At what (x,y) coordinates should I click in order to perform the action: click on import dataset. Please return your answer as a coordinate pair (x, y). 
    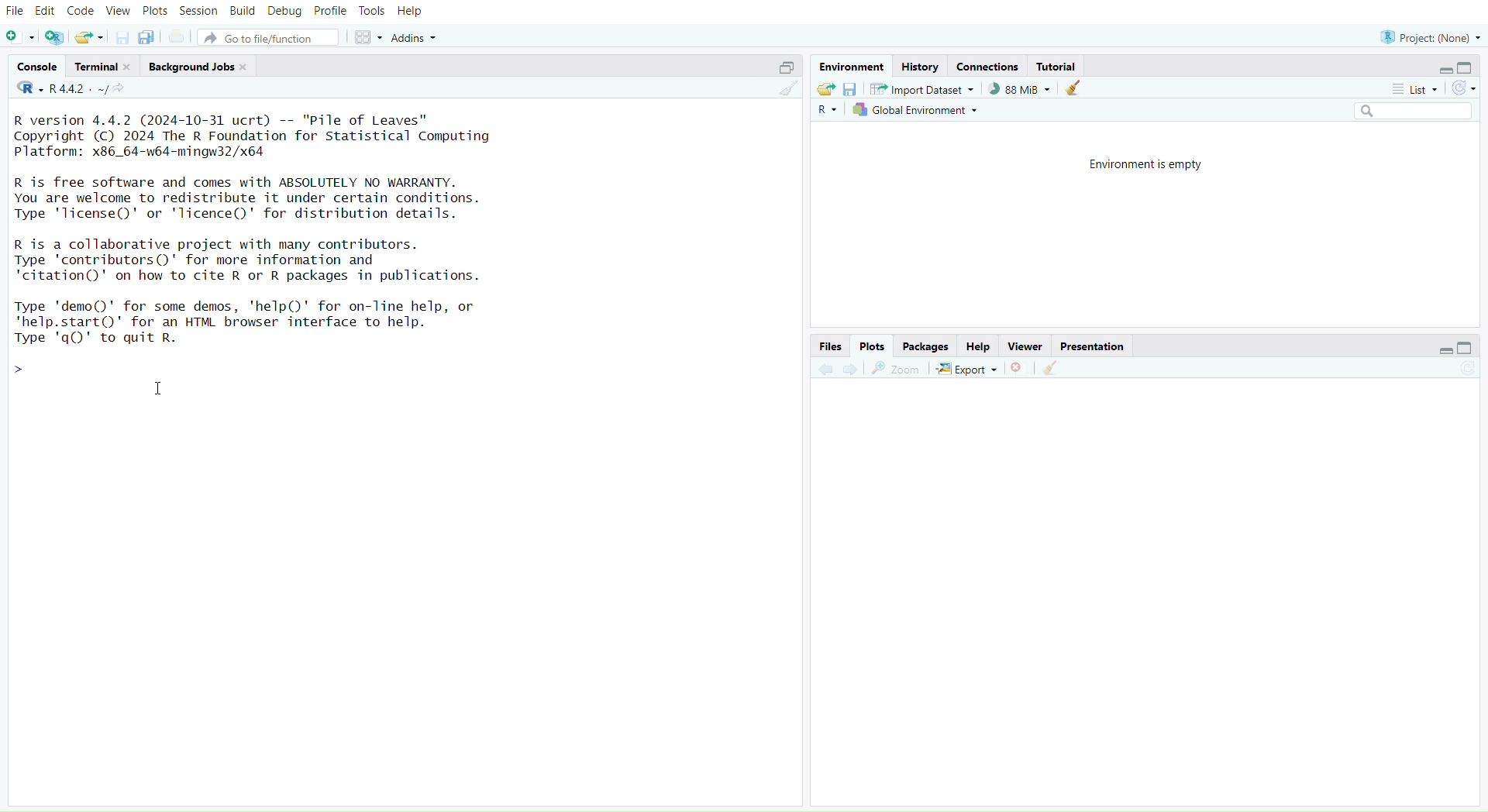
    Looking at the image, I should click on (923, 89).